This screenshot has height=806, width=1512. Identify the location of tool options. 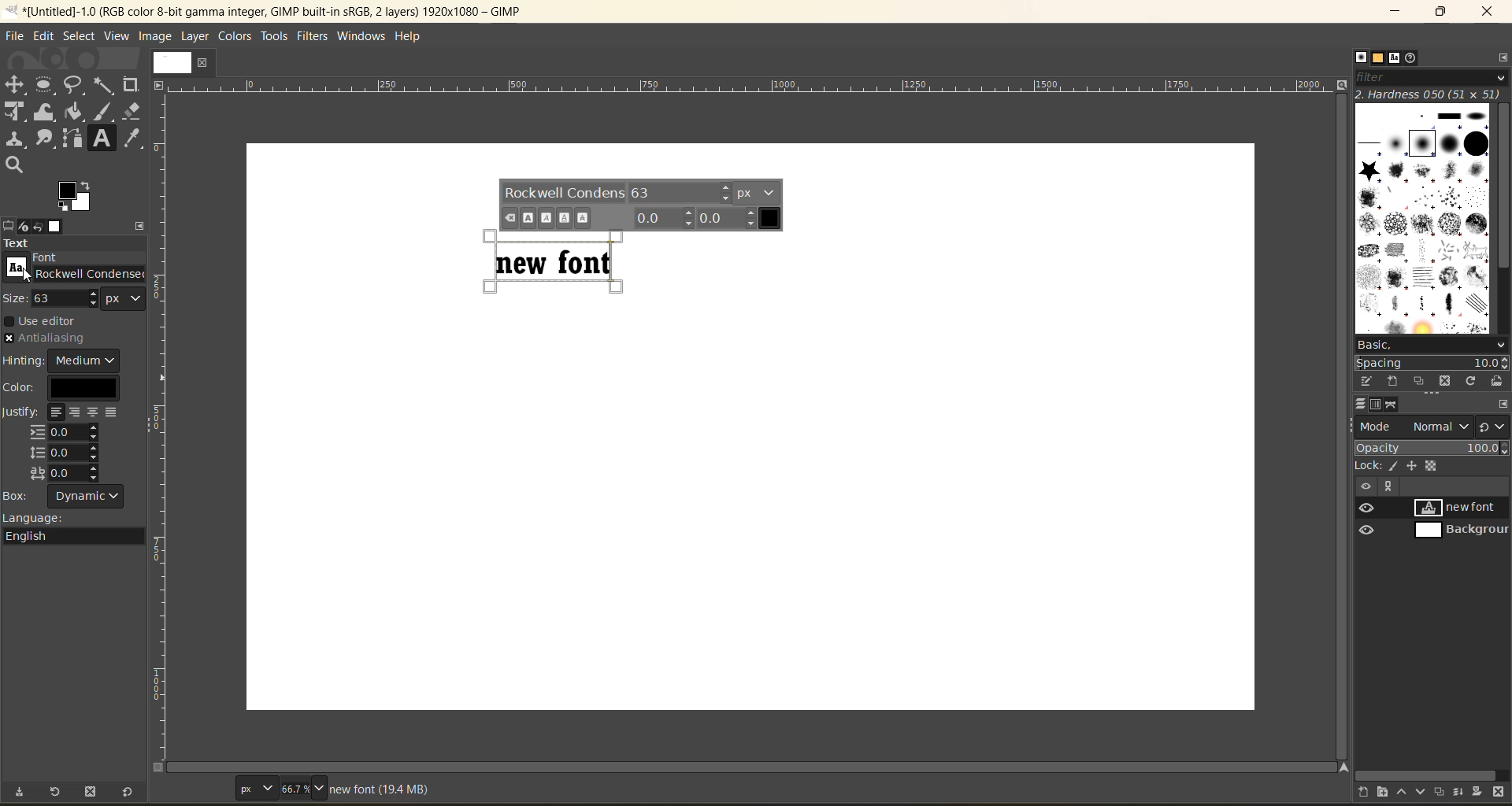
(9, 225).